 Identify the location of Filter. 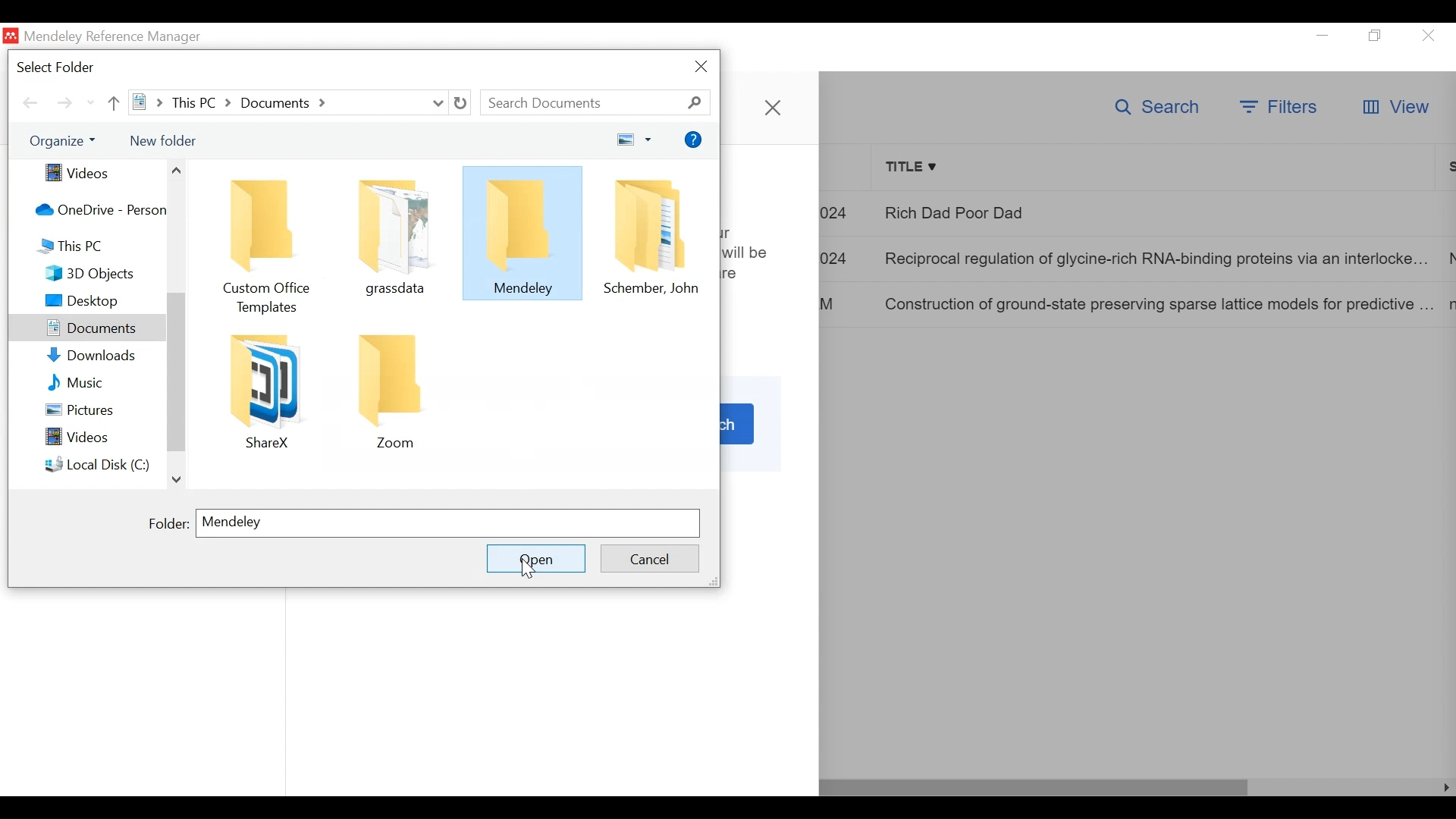
(1278, 105).